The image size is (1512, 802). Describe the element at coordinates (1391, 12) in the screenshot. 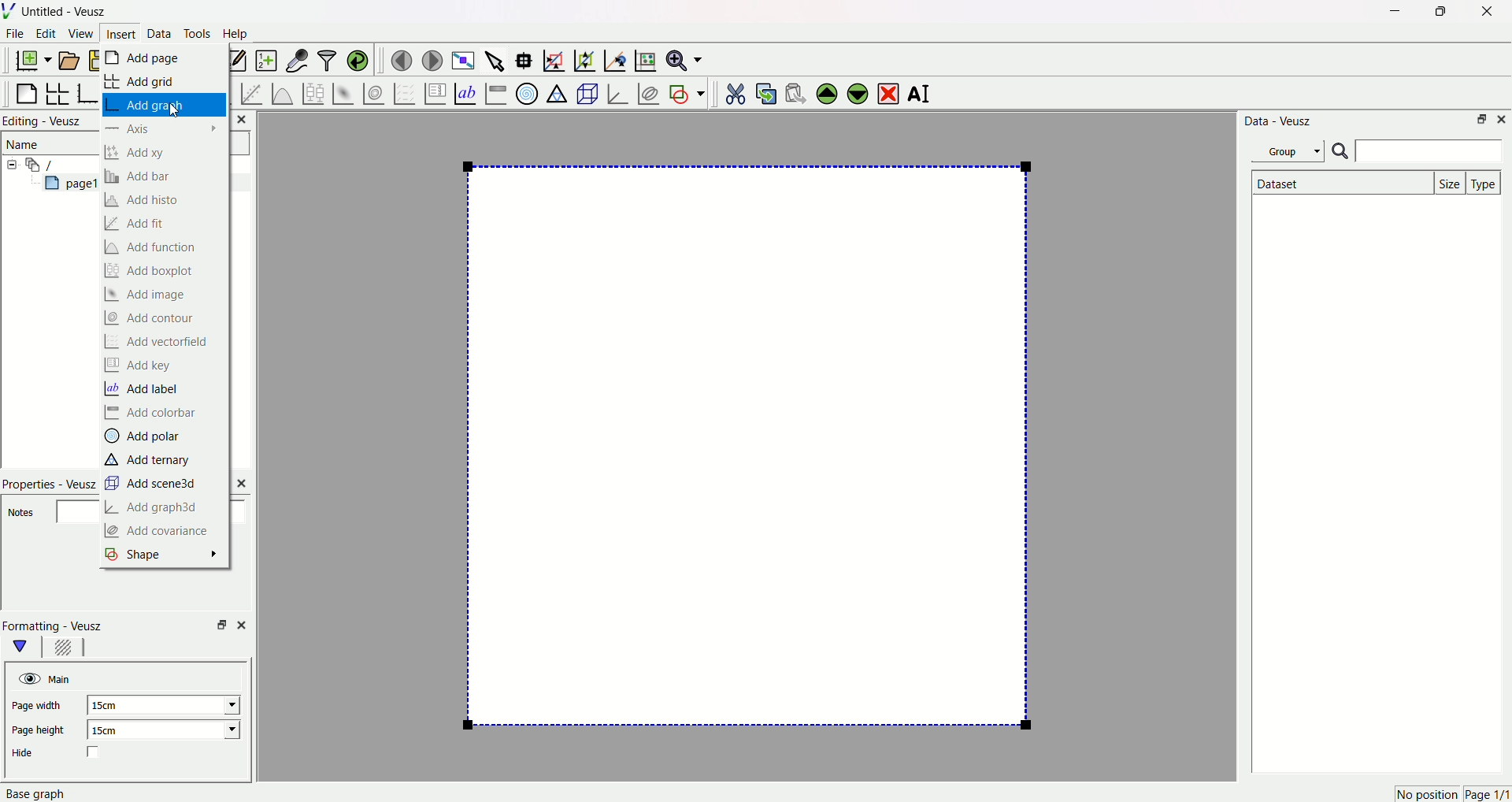

I see `Minimize` at that location.